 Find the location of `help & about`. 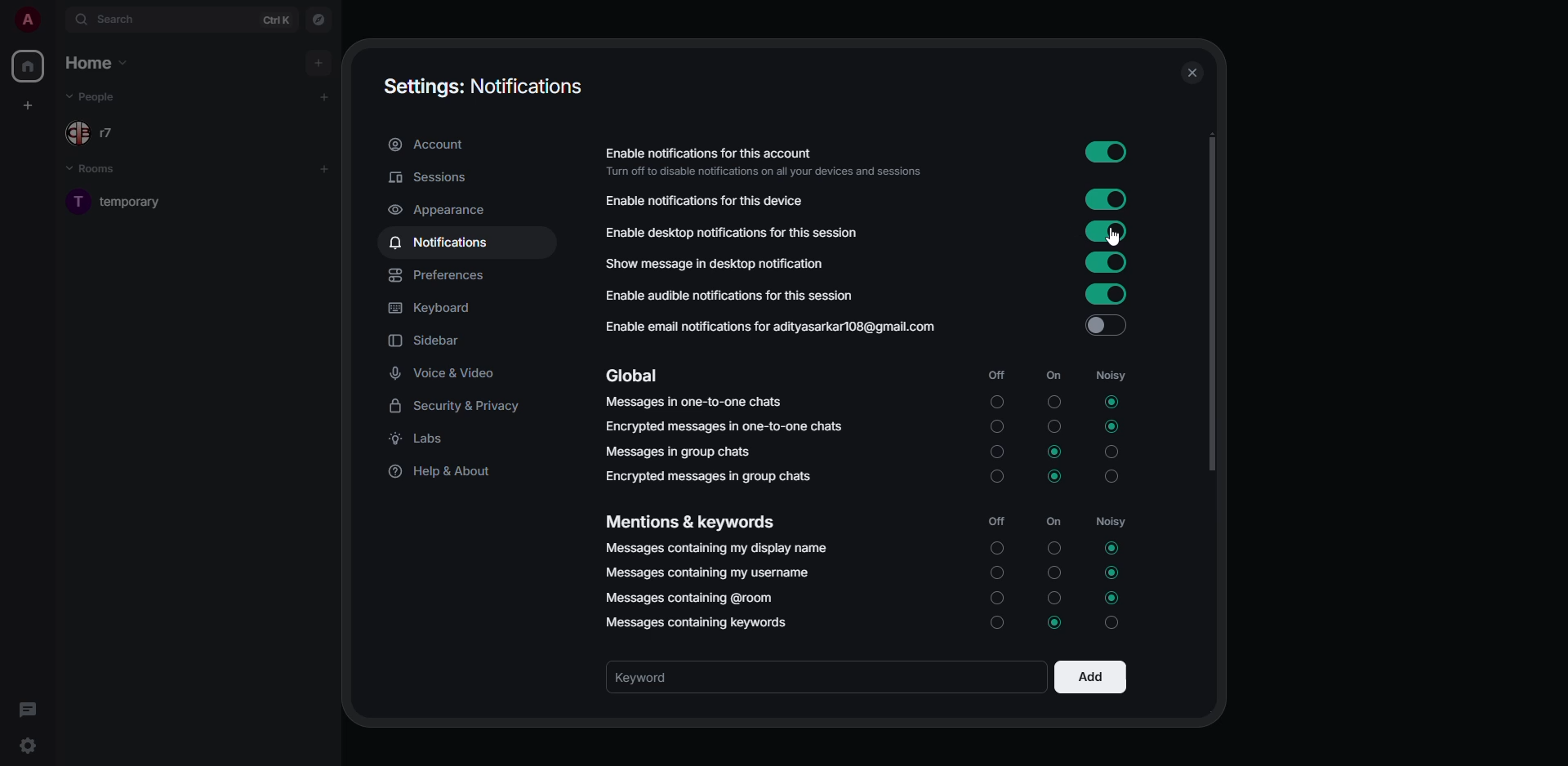

help & about is located at coordinates (443, 474).